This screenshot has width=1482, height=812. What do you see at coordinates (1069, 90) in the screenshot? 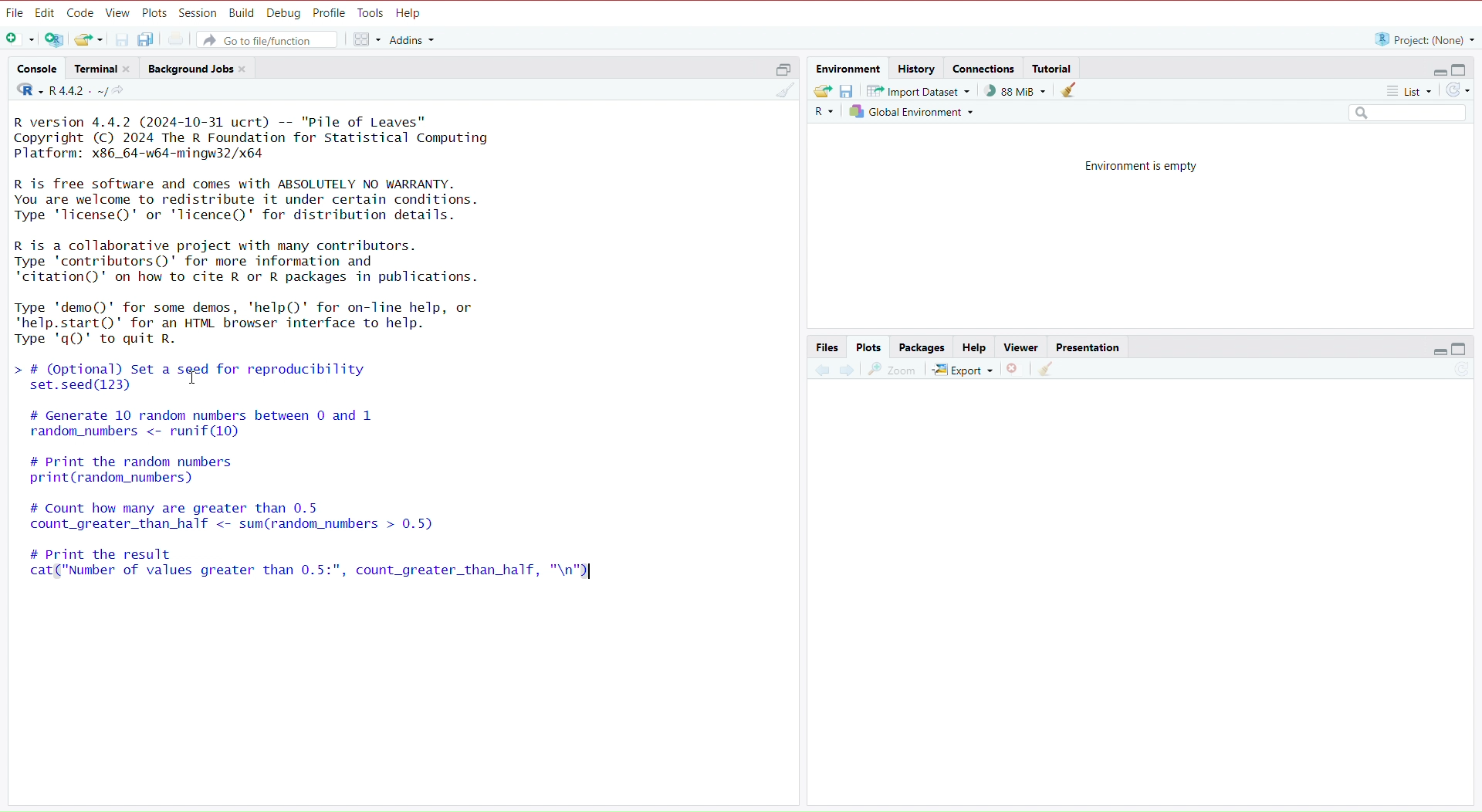
I see `Clear` at bounding box center [1069, 90].